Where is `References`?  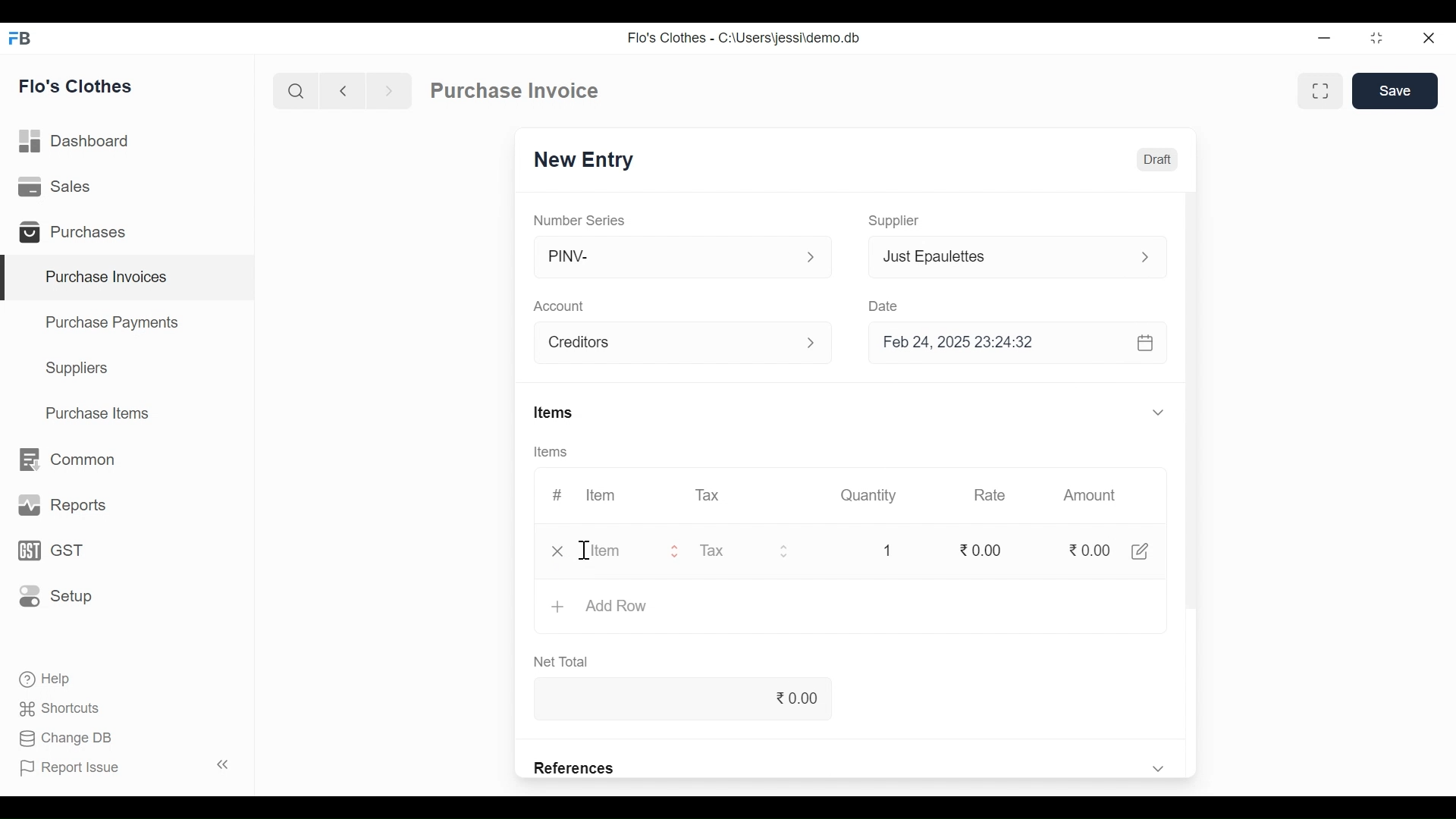 References is located at coordinates (569, 766).